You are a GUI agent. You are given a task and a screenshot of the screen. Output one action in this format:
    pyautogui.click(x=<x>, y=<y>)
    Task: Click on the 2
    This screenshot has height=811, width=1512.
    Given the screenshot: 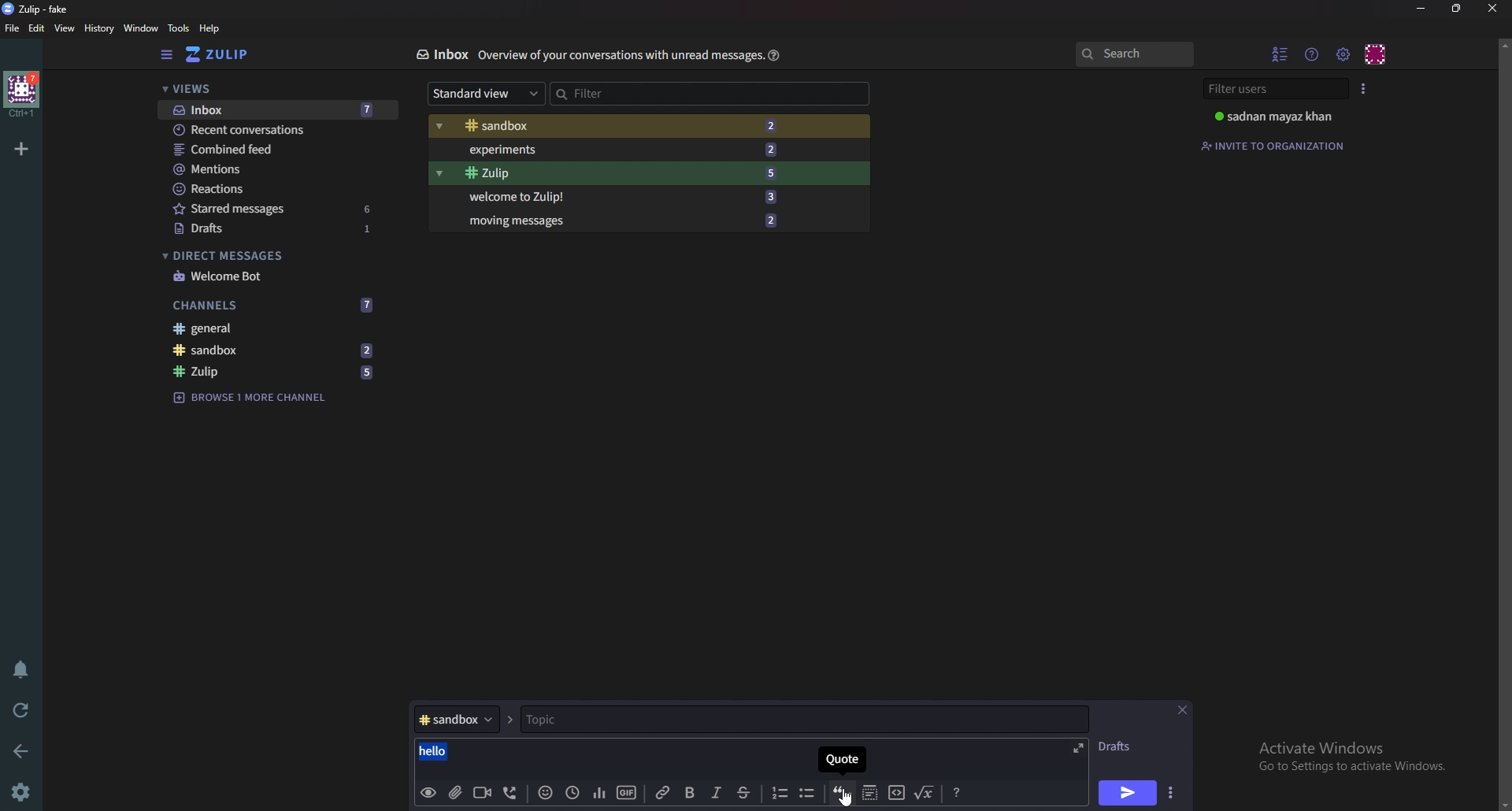 What is the action you would take?
    pyautogui.click(x=774, y=220)
    